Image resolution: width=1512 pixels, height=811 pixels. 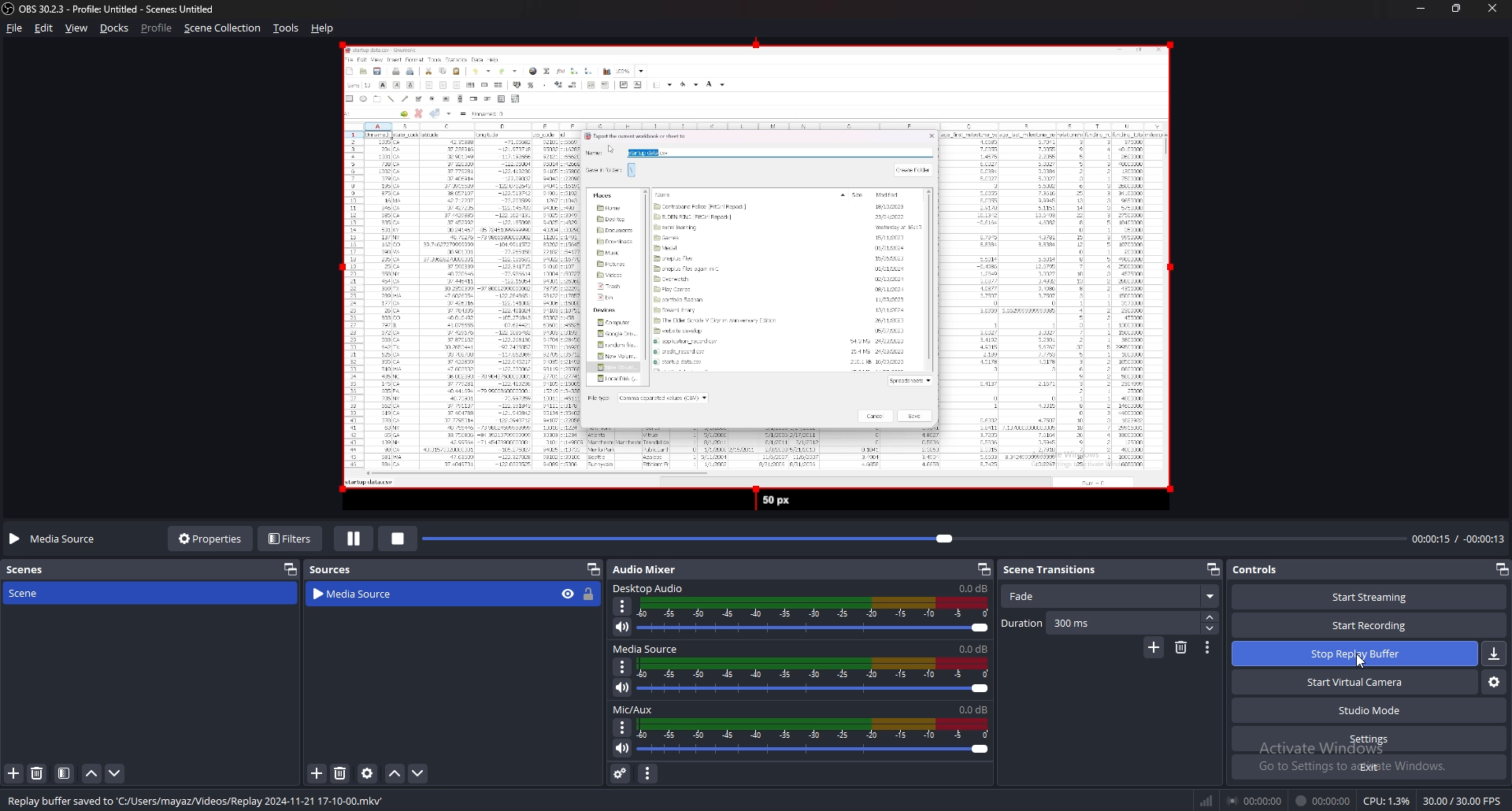 What do you see at coordinates (222, 28) in the screenshot?
I see `scene collection` at bounding box center [222, 28].